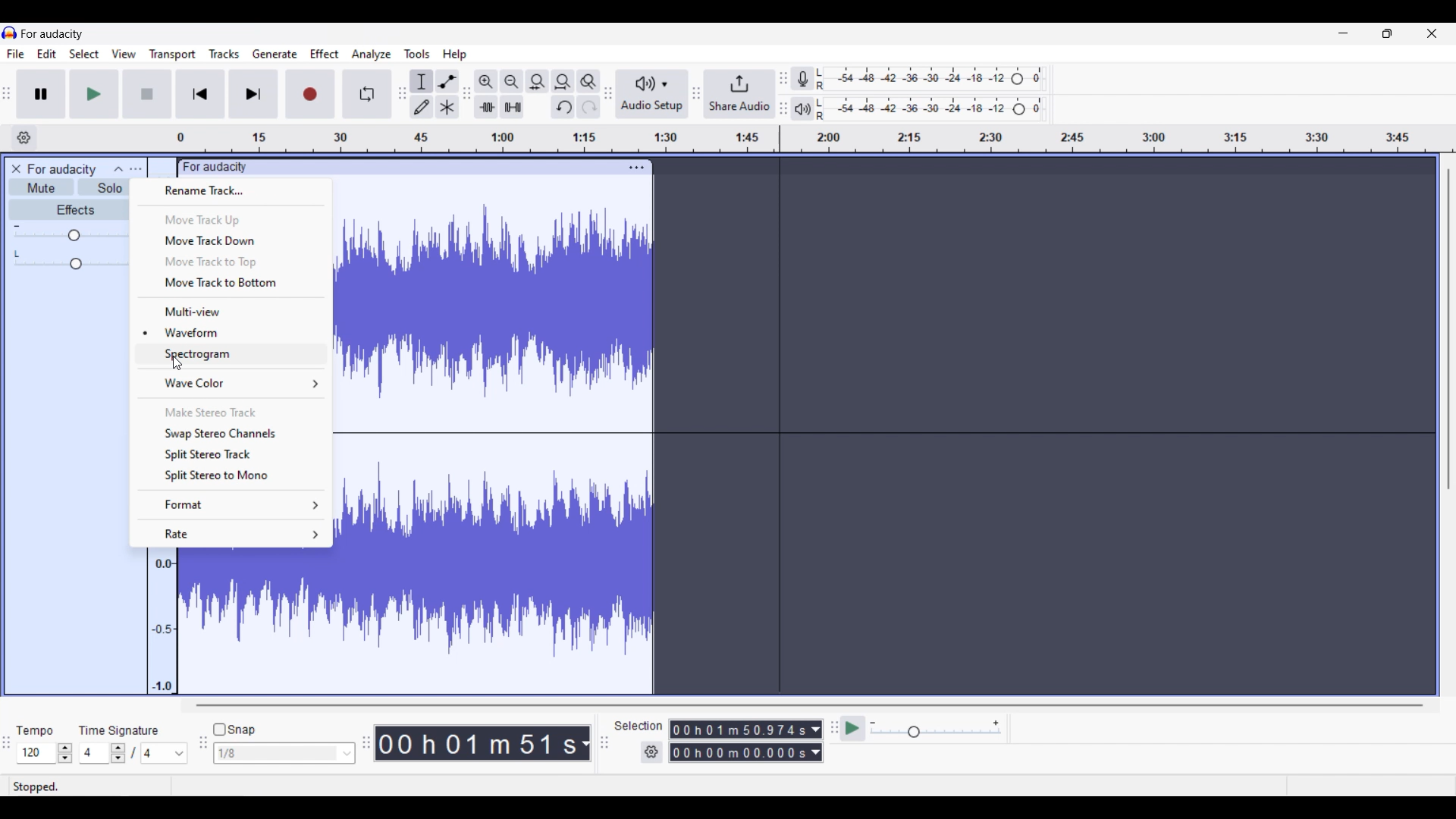 The height and width of the screenshot is (819, 1456). What do you see at coordinates (104, 187) in the screenshot?
I see `Solo` at bounding box center [104, 187].